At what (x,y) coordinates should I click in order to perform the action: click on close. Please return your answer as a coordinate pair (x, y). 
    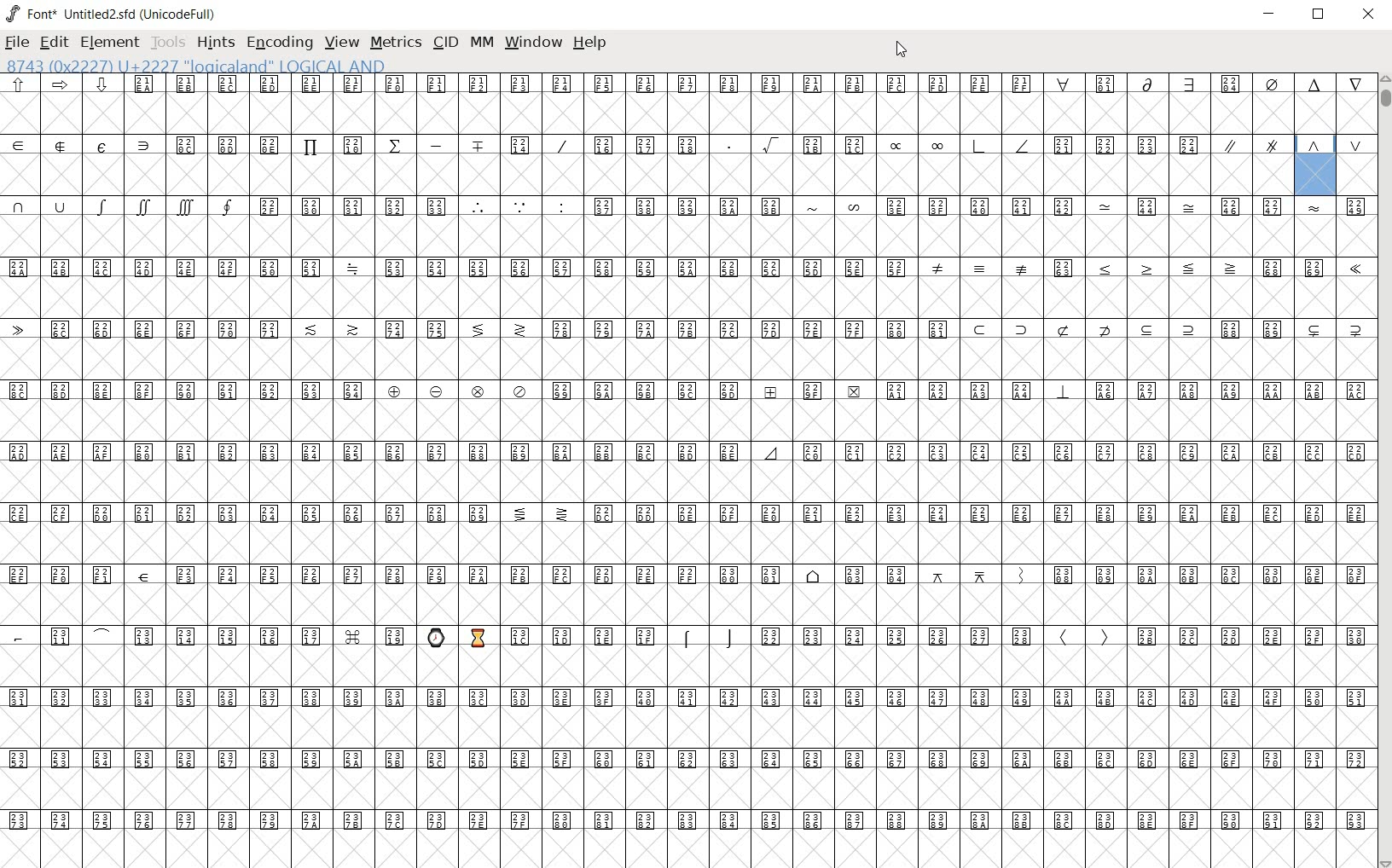
    Looking at the image, I should click on (1372, 14).